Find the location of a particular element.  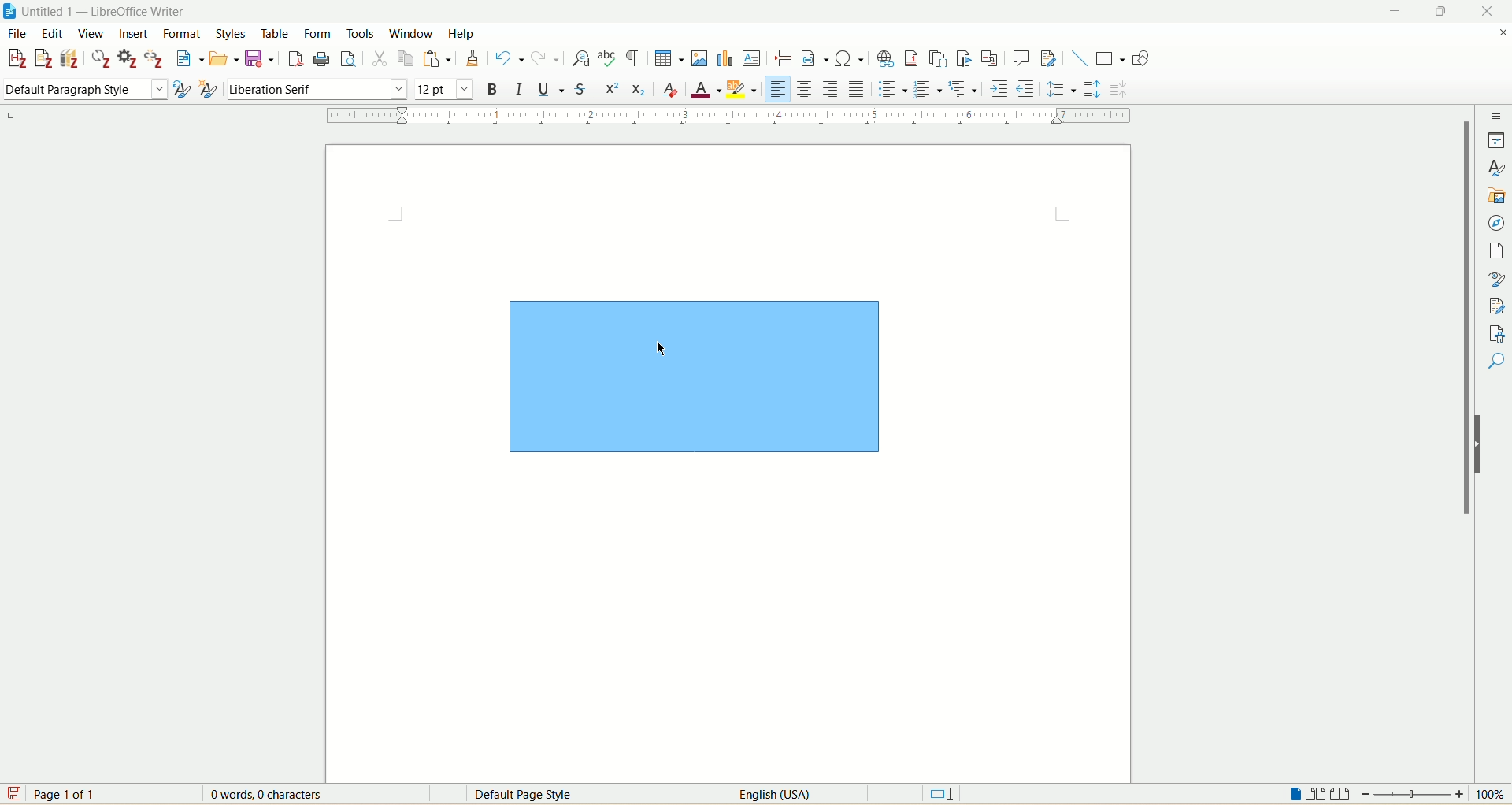

find is located at coordinates (1492, 362).